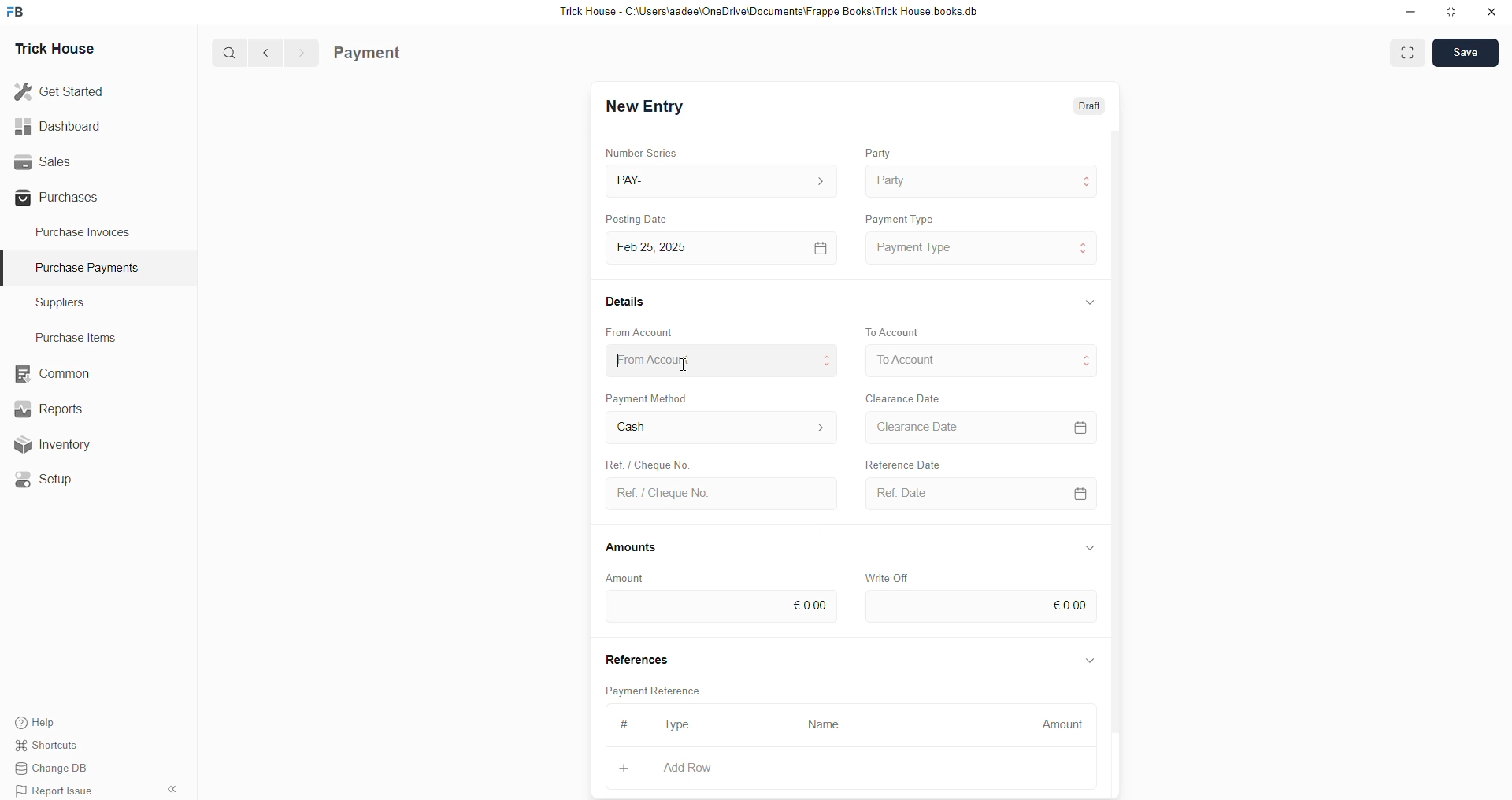 This screenshot has width=1512, height=800. What do you see at coordinates (54, 407) in the screenshot?
I see `Reports` at bounding box center [54, 407].